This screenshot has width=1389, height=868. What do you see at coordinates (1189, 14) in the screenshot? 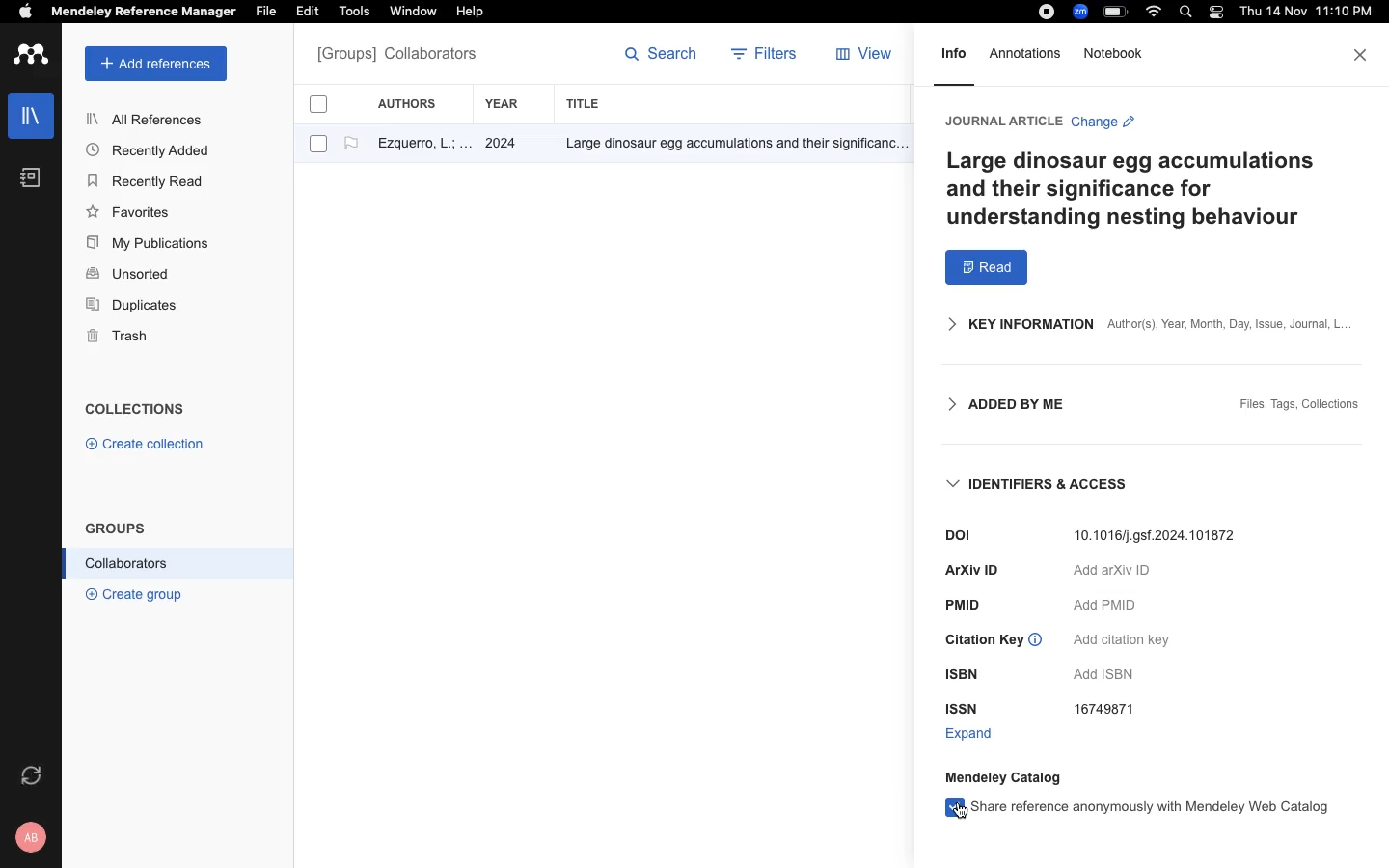
I see `search` at bounding box center [1189, 14].